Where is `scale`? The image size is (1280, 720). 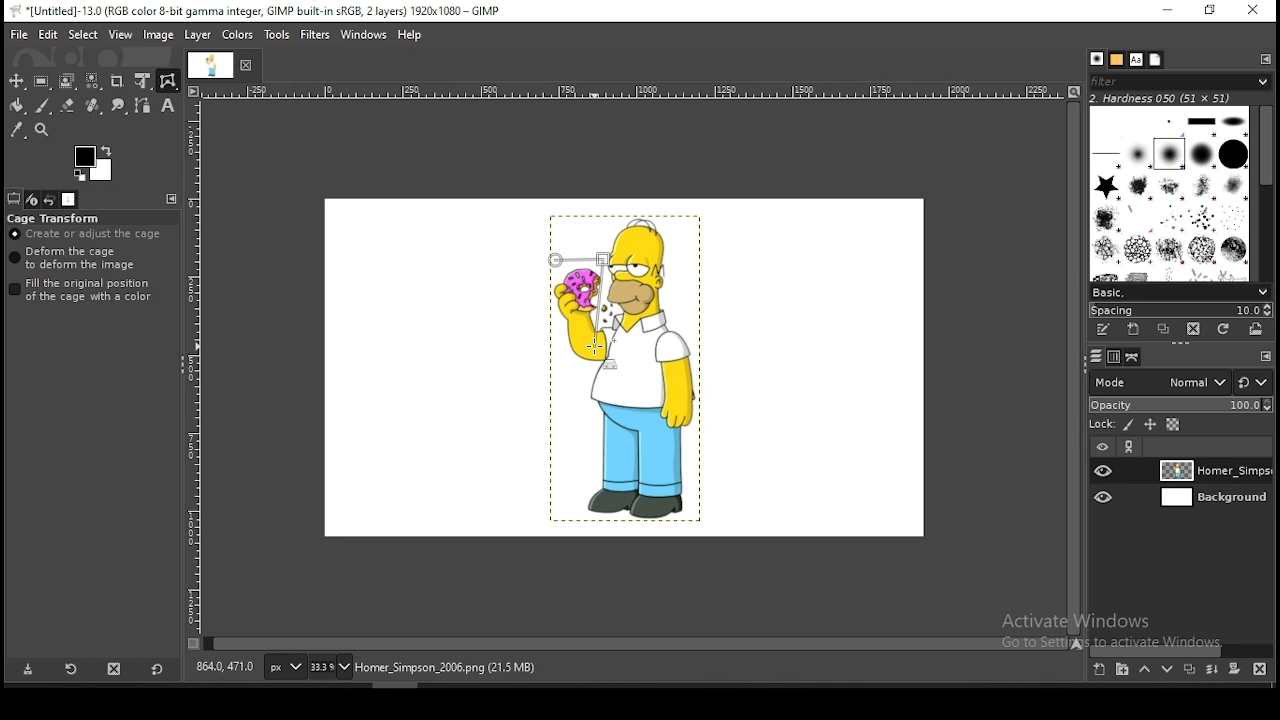 scale is located at coordinates (634, 92).